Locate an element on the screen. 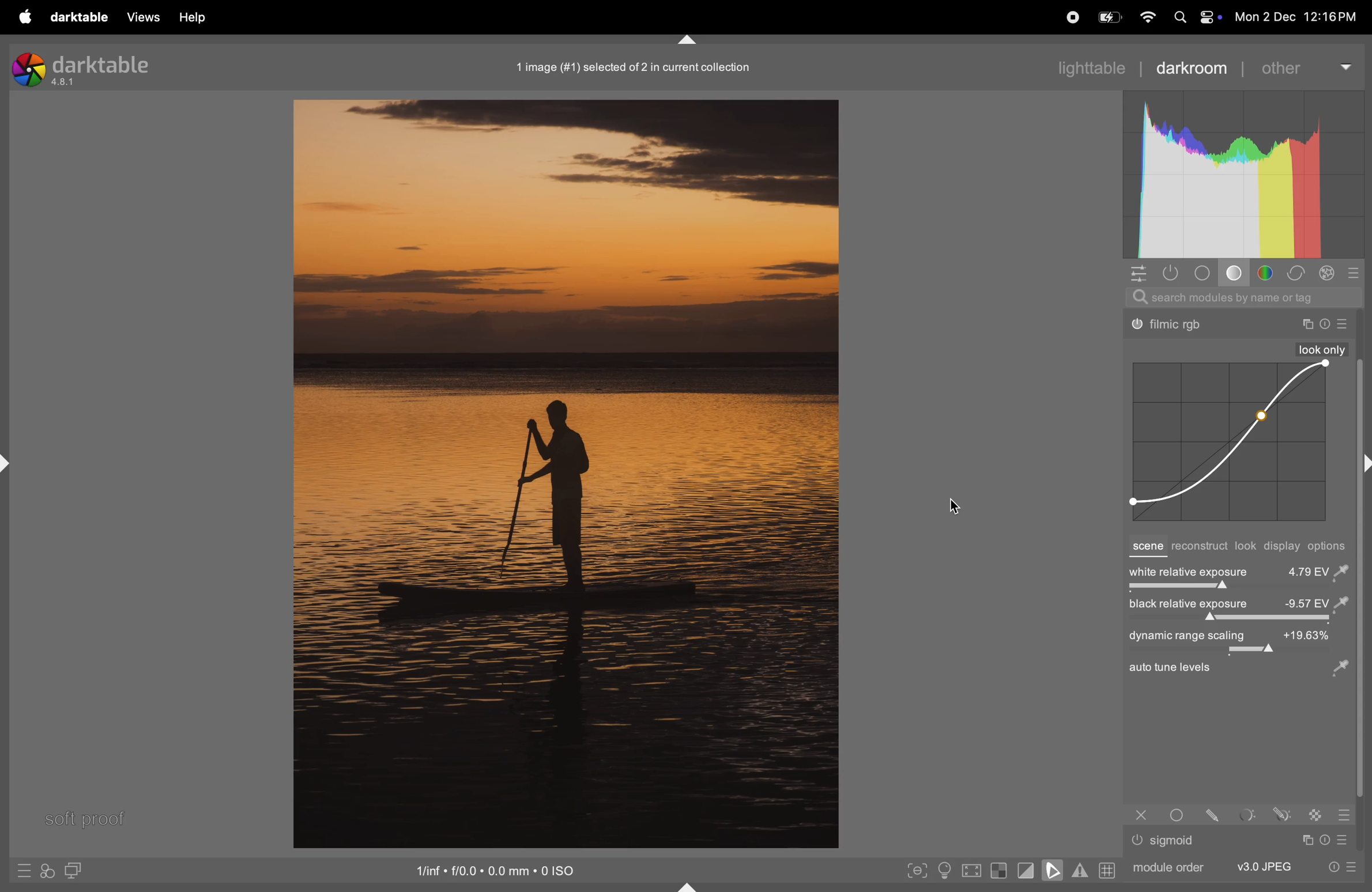 This screenshot has width=1372, height=892. views is located at coordinates (140, 17).